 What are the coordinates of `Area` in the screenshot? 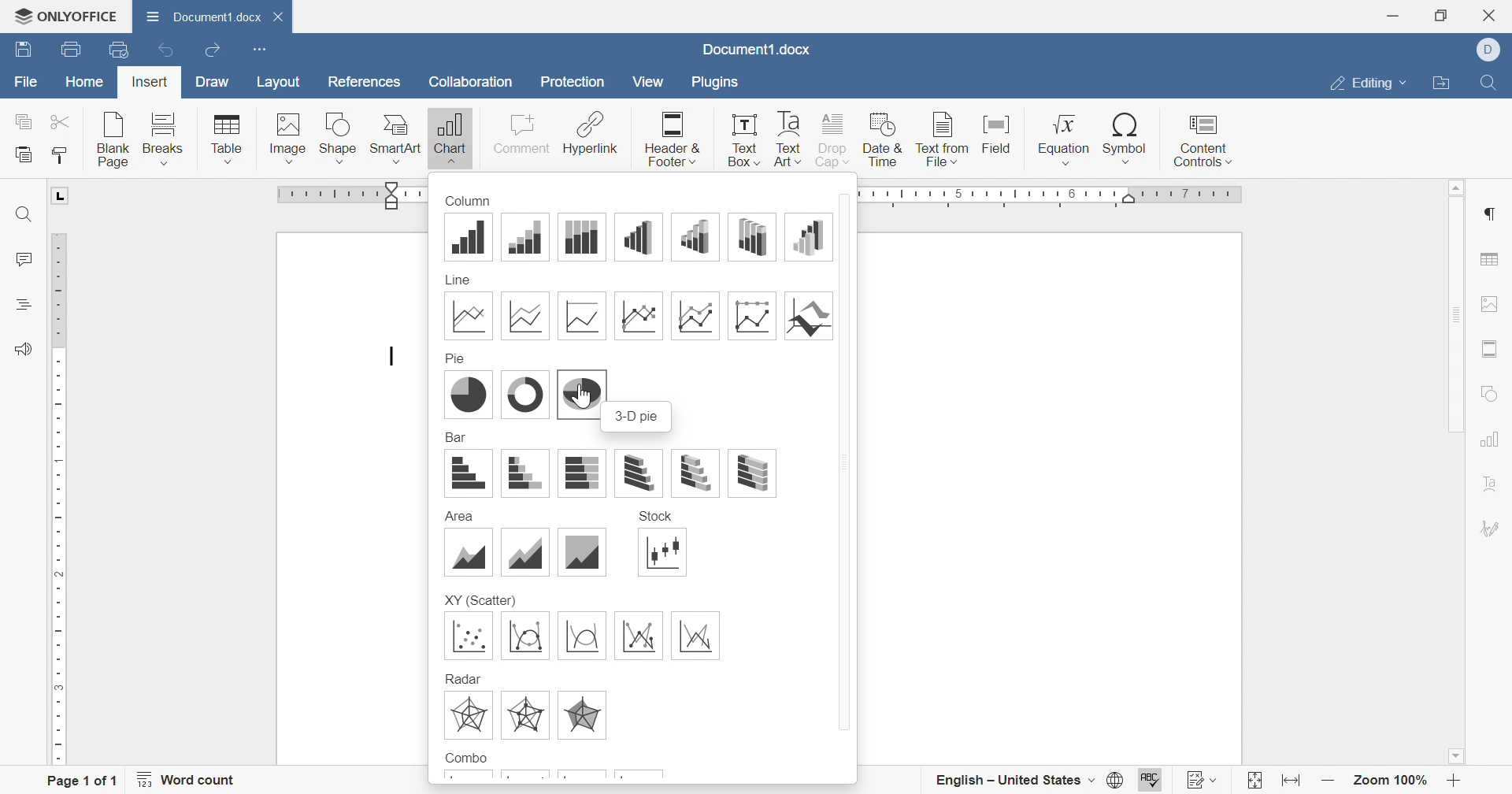 It's located at (468, 552).